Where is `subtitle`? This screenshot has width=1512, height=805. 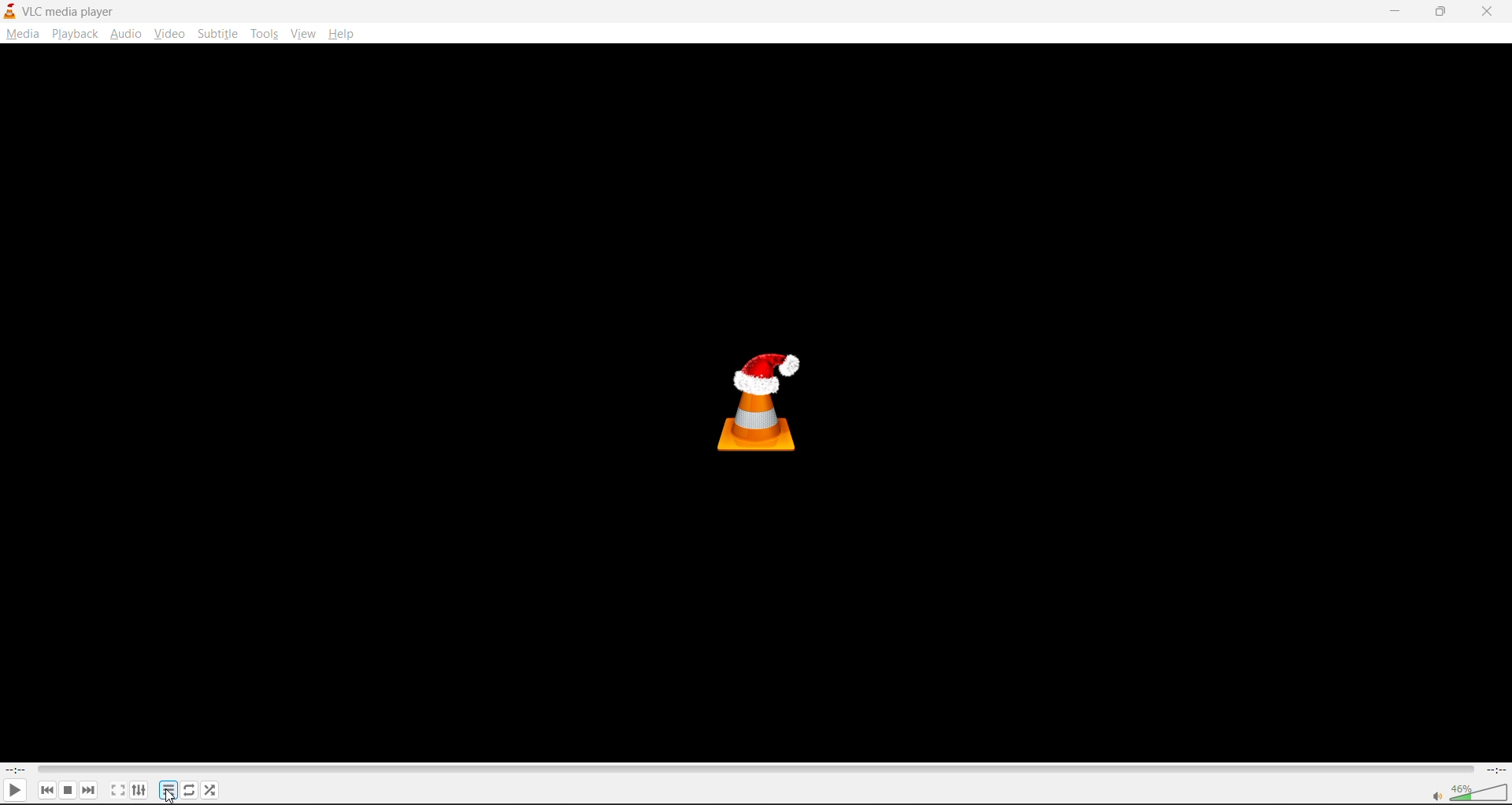 subtitle is located at coordinates (217, 33).